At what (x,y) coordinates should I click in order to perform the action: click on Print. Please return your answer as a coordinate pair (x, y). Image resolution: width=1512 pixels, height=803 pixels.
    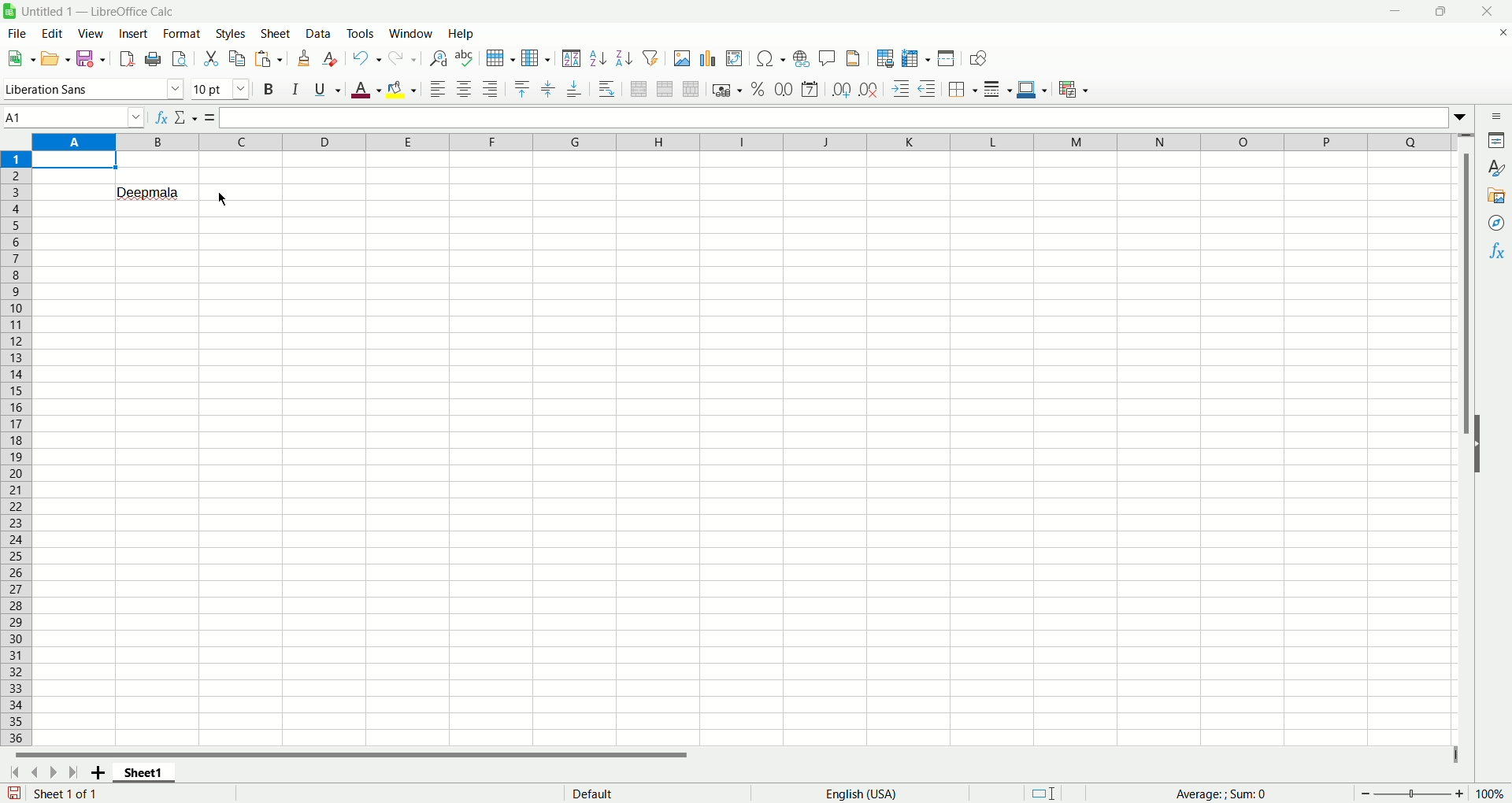
    Looking at the image, I should click on (153, 60).